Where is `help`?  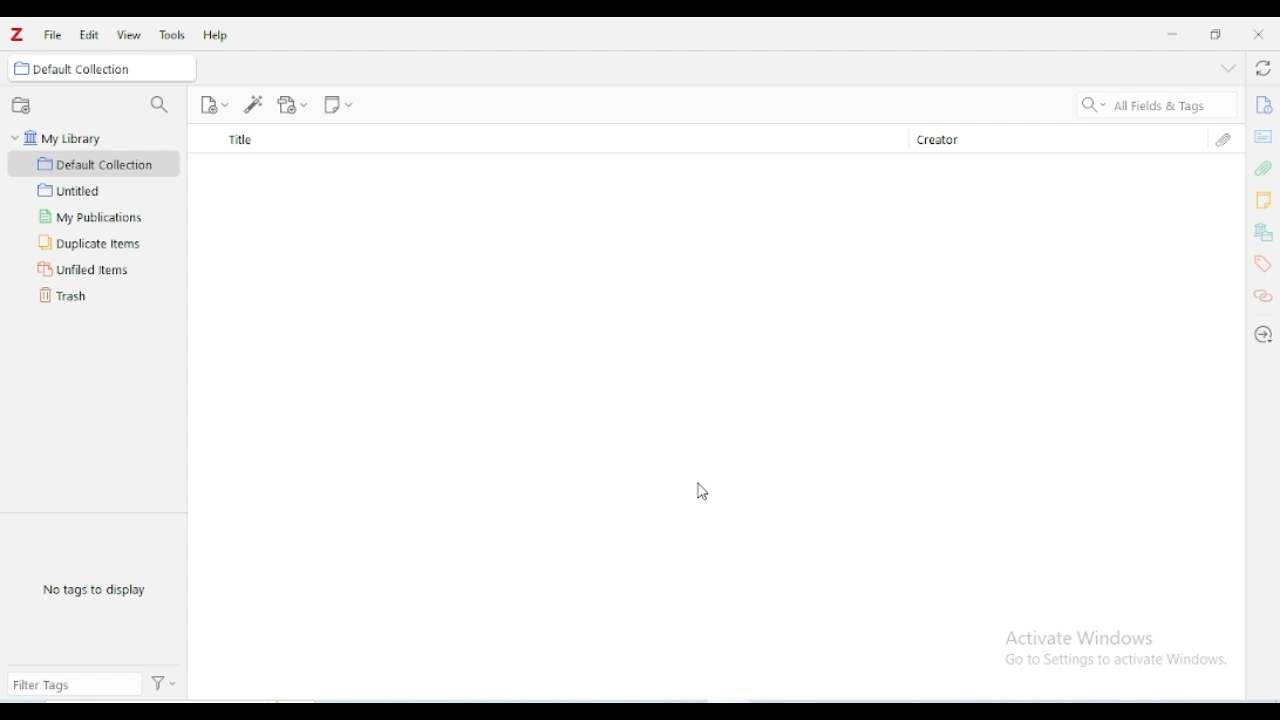 help is located at coordinates (214, 35).